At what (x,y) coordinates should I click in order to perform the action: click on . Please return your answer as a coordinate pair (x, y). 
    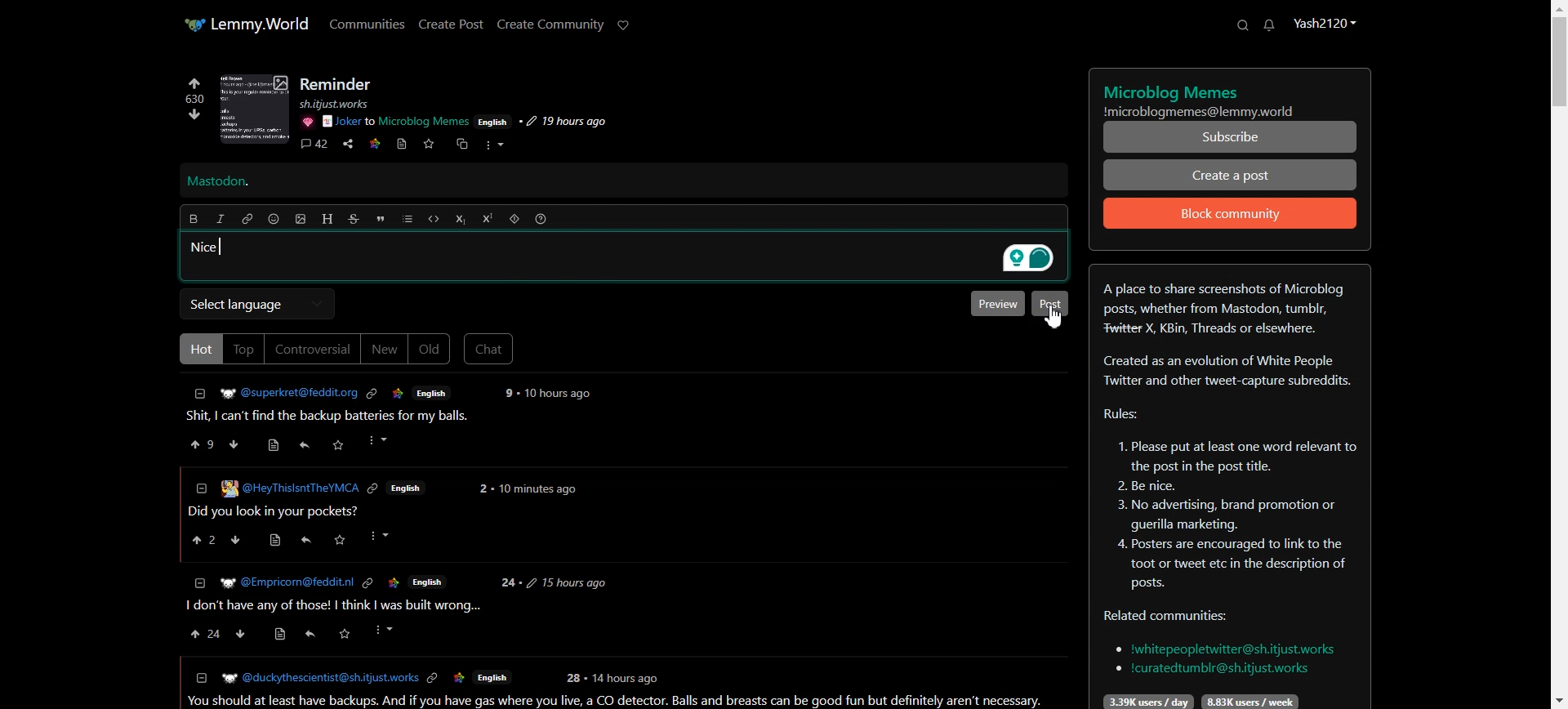
    Looking at the image, I should click on (459, 679).